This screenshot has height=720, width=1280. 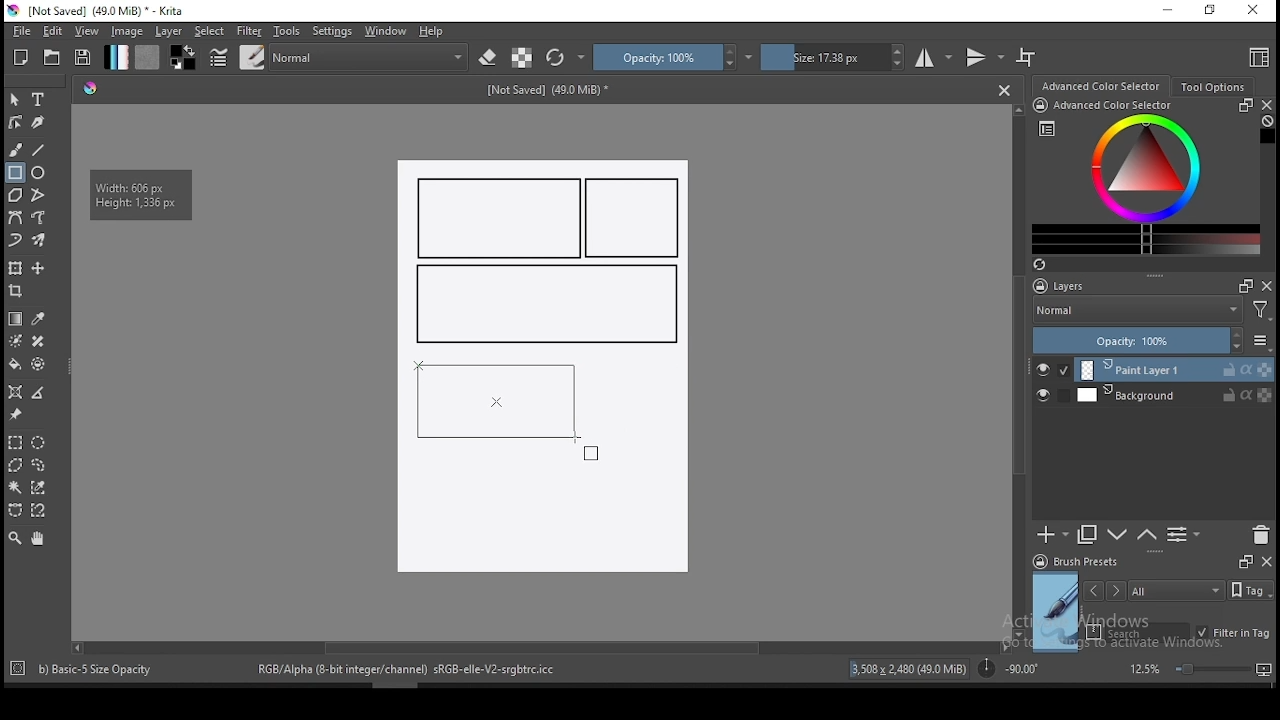 I want to click on scroll bar, so click(x=1020, y=370).